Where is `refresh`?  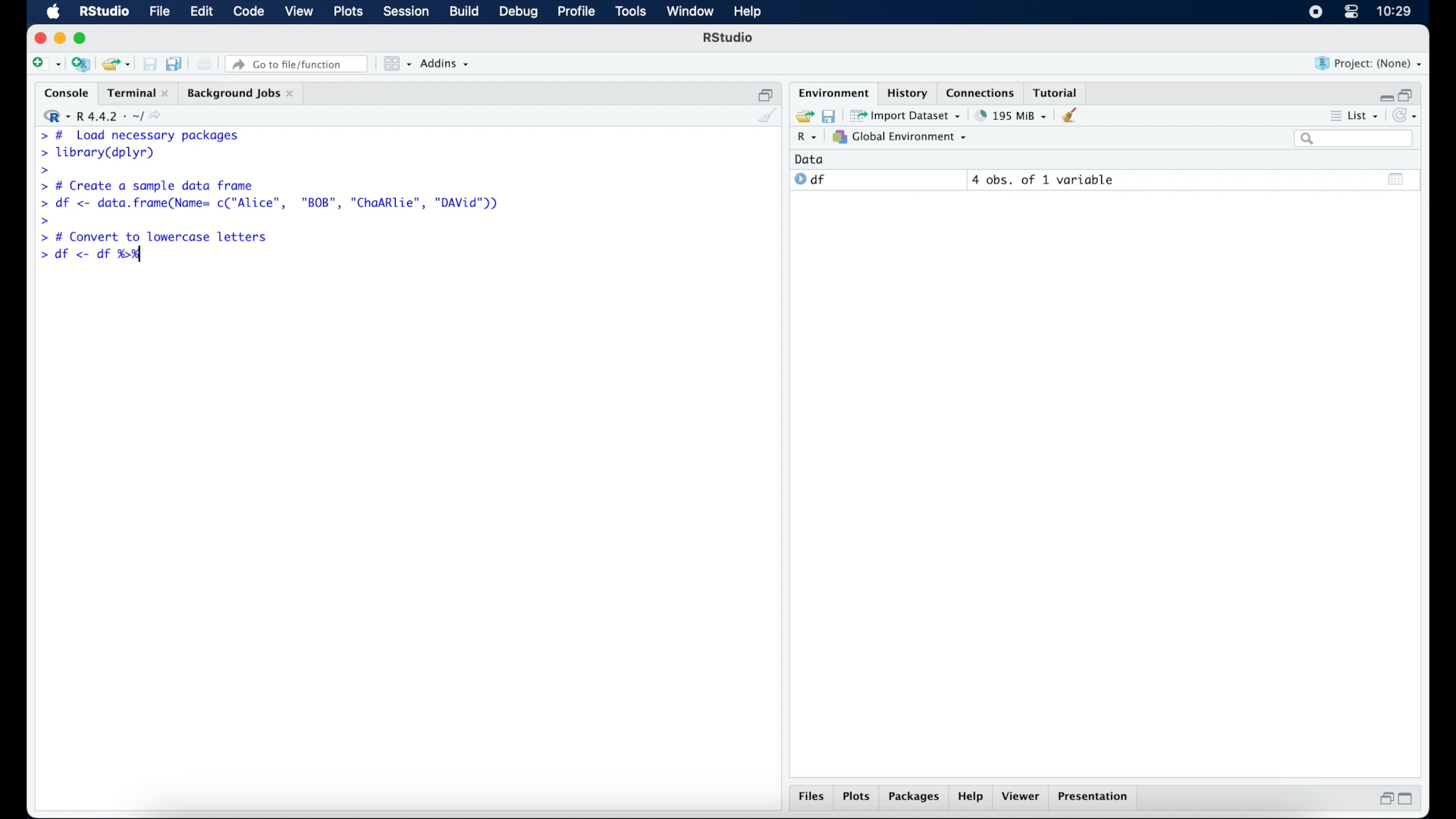
refresh is located at coordinates (1407, 117).